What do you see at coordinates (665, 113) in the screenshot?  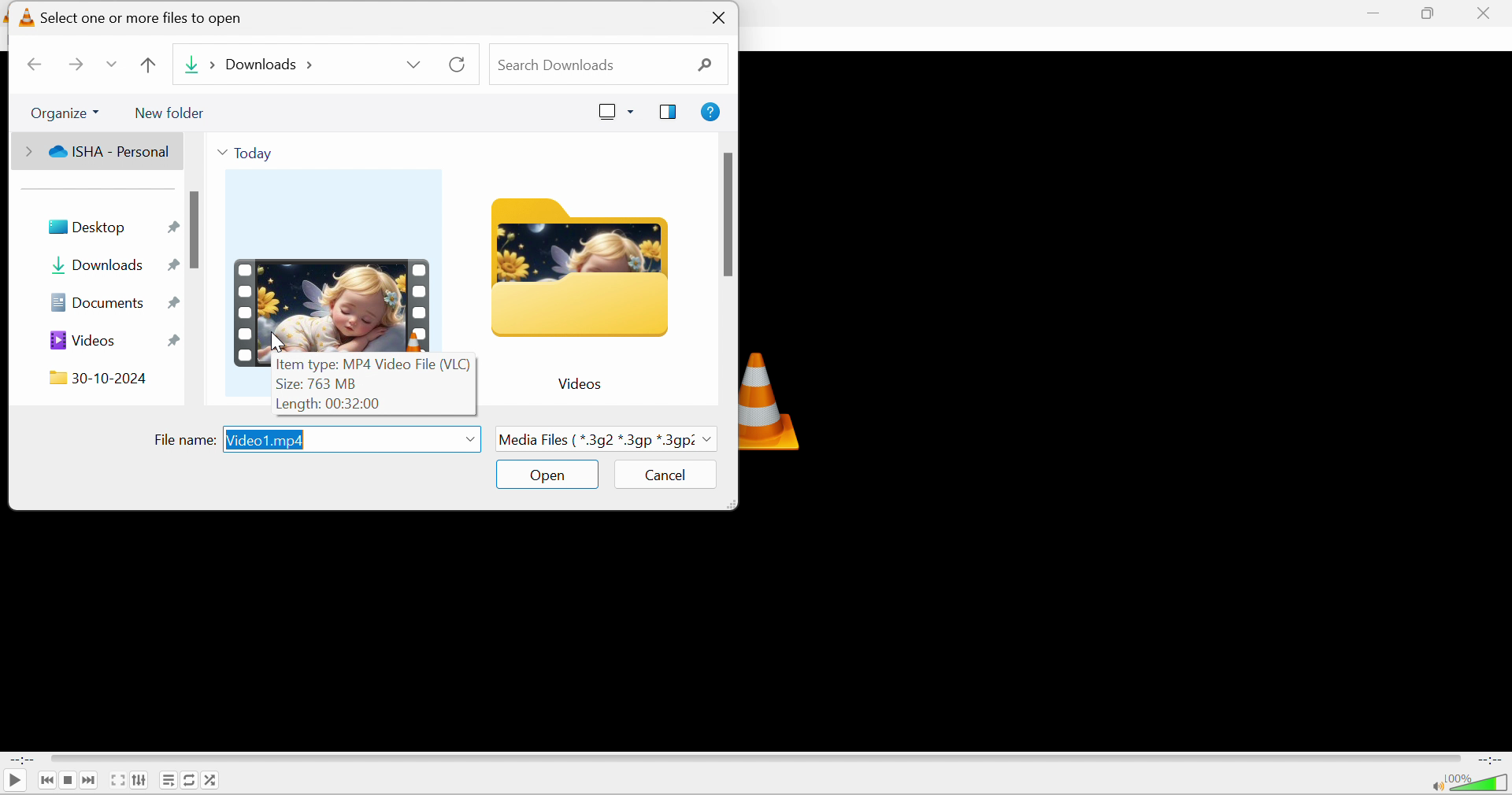 I see `Show the preview pane` at bounding box center [665, 113].